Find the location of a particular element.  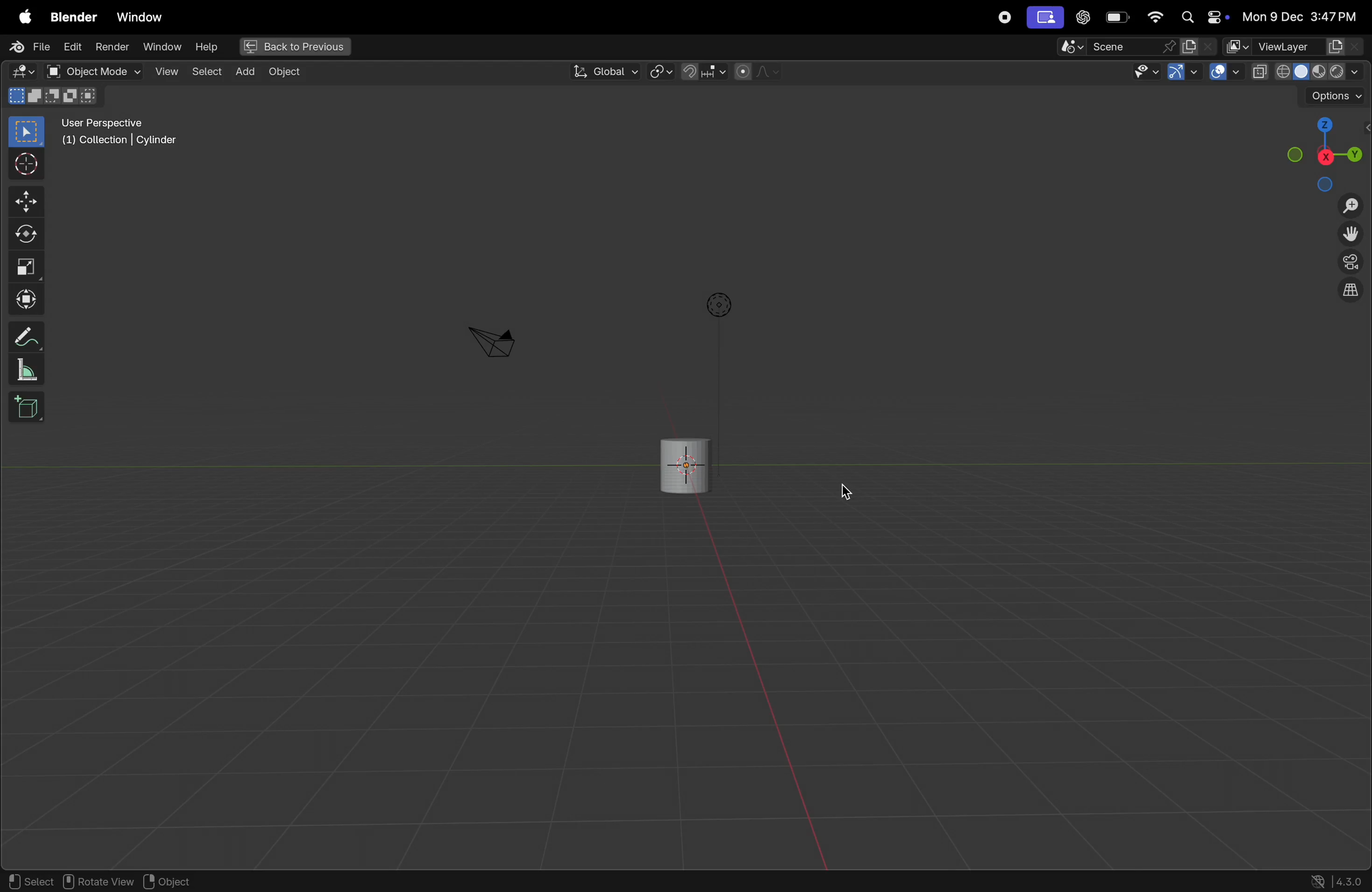

select is located at coordinates (206, 72).